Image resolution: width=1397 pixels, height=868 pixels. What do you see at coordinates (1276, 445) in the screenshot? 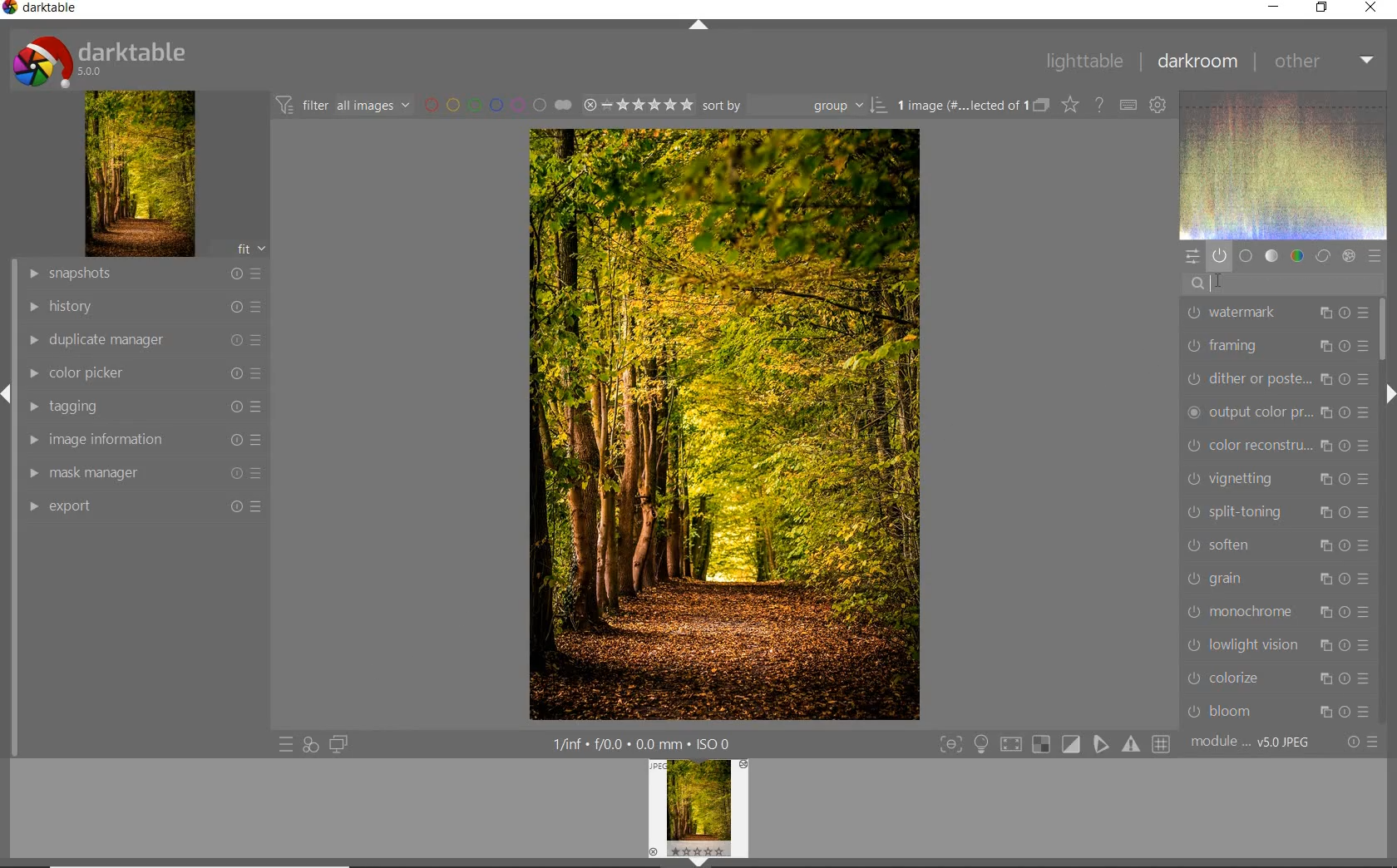
I see `color reconstruction` at bounding box center [1276, 445].